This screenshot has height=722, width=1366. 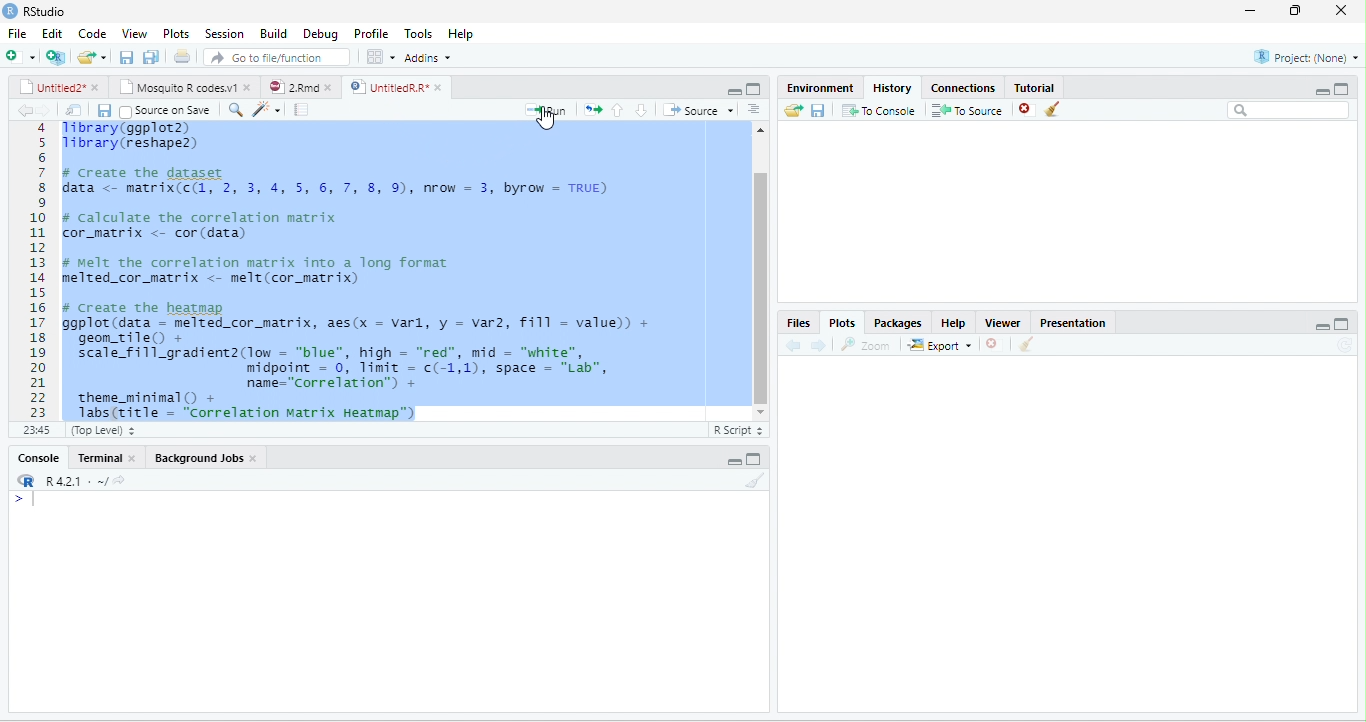 What do you see at coordinates (370, 33) in the screenshot?
I see `profile` at bounding box center [370, 33].